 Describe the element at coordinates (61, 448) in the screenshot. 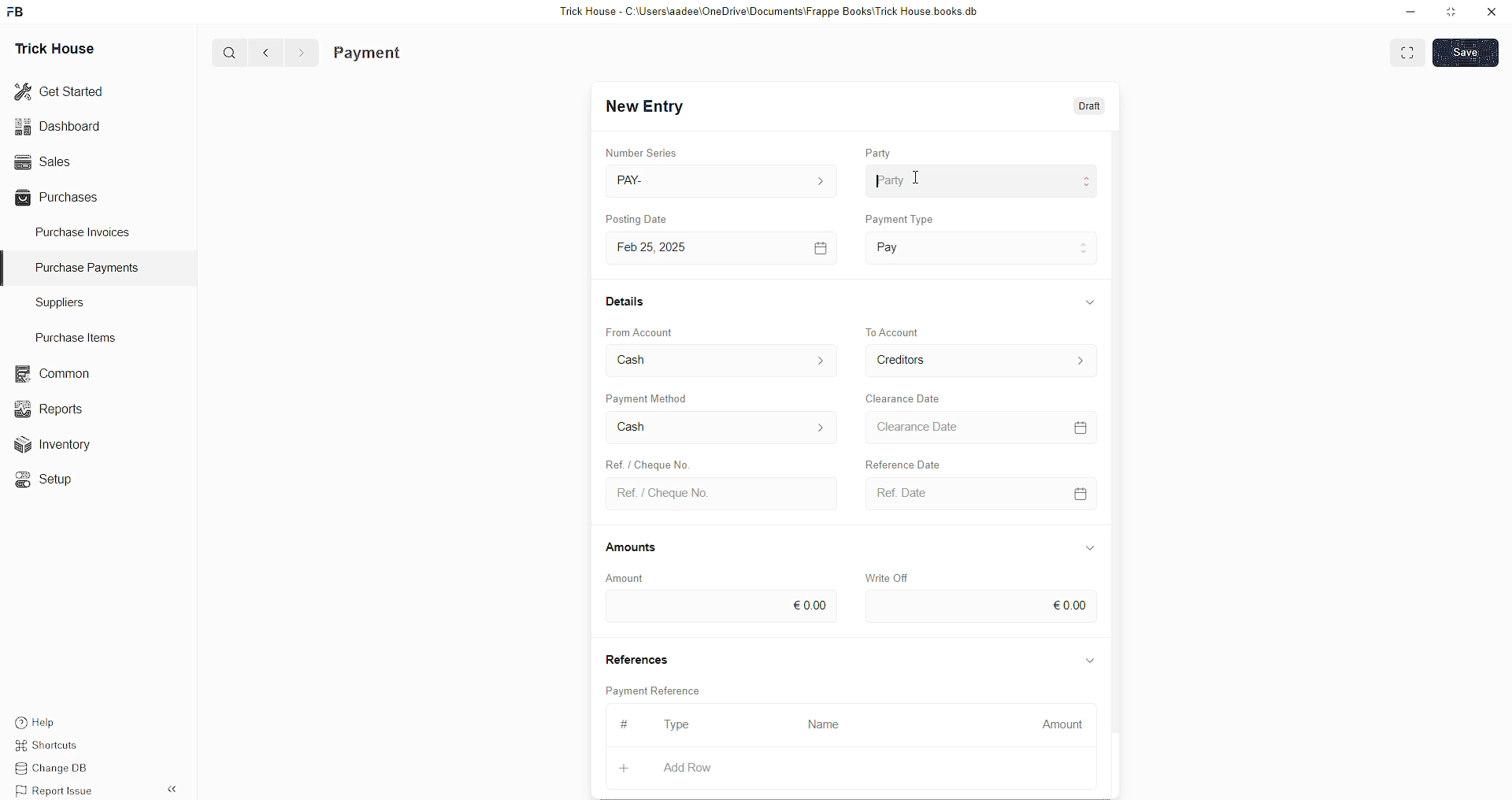

I see `Inventory` at that location.